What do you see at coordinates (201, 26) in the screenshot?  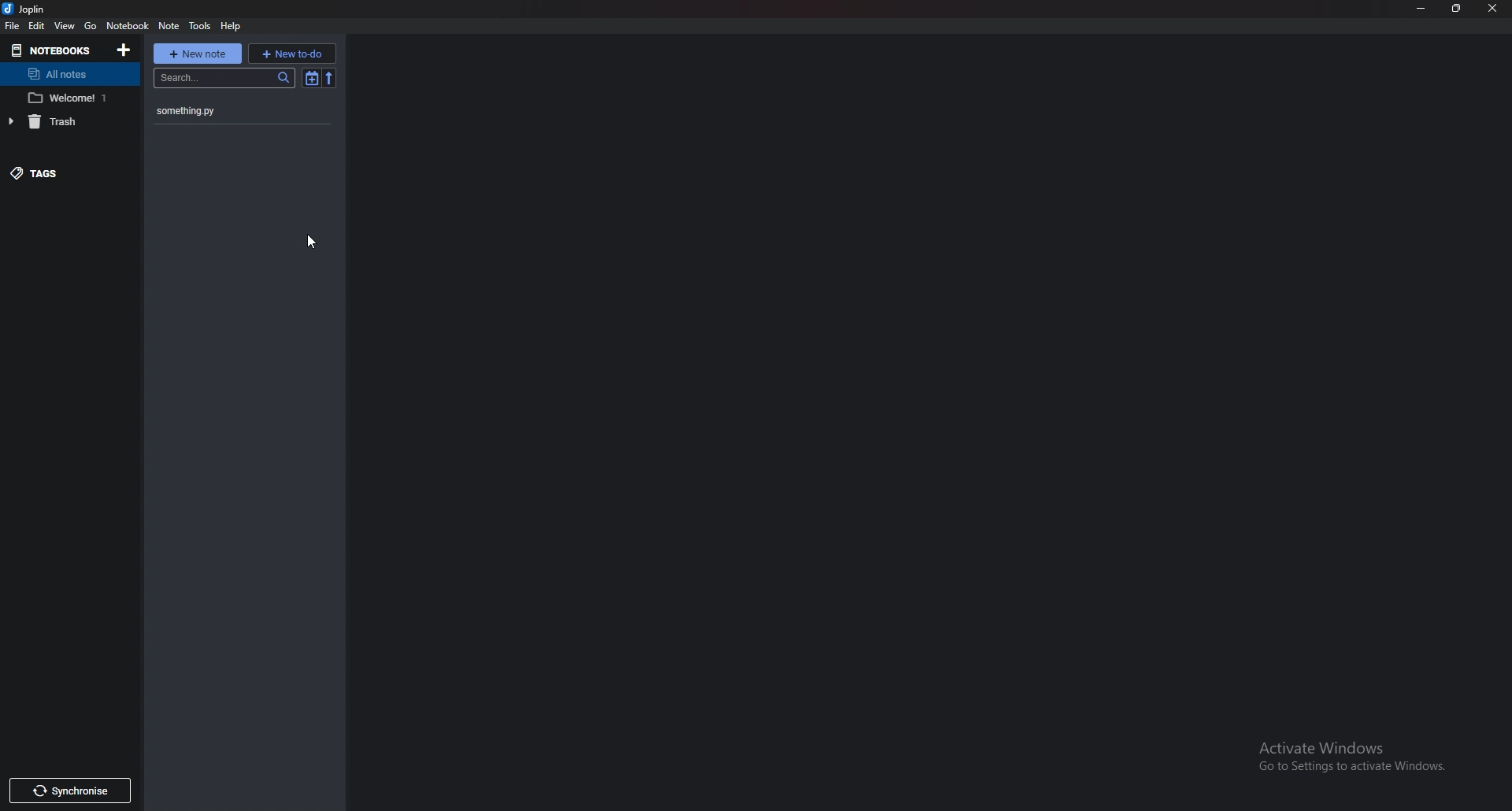 I see `Tools` at bounding box center [201, 26].